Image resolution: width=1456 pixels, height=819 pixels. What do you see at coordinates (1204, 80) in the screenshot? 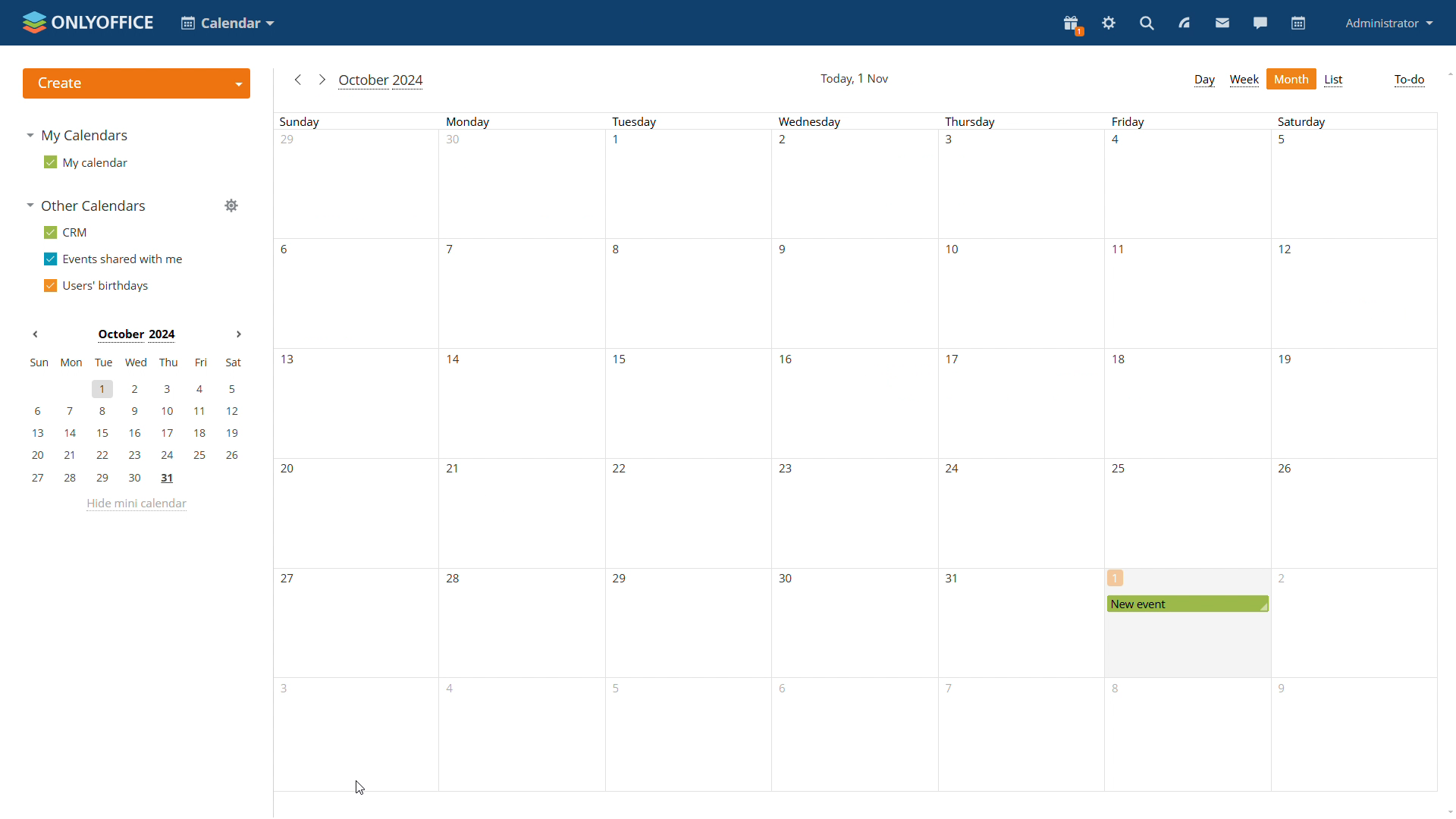
I see `day view` at bounding box center [1204, 80].